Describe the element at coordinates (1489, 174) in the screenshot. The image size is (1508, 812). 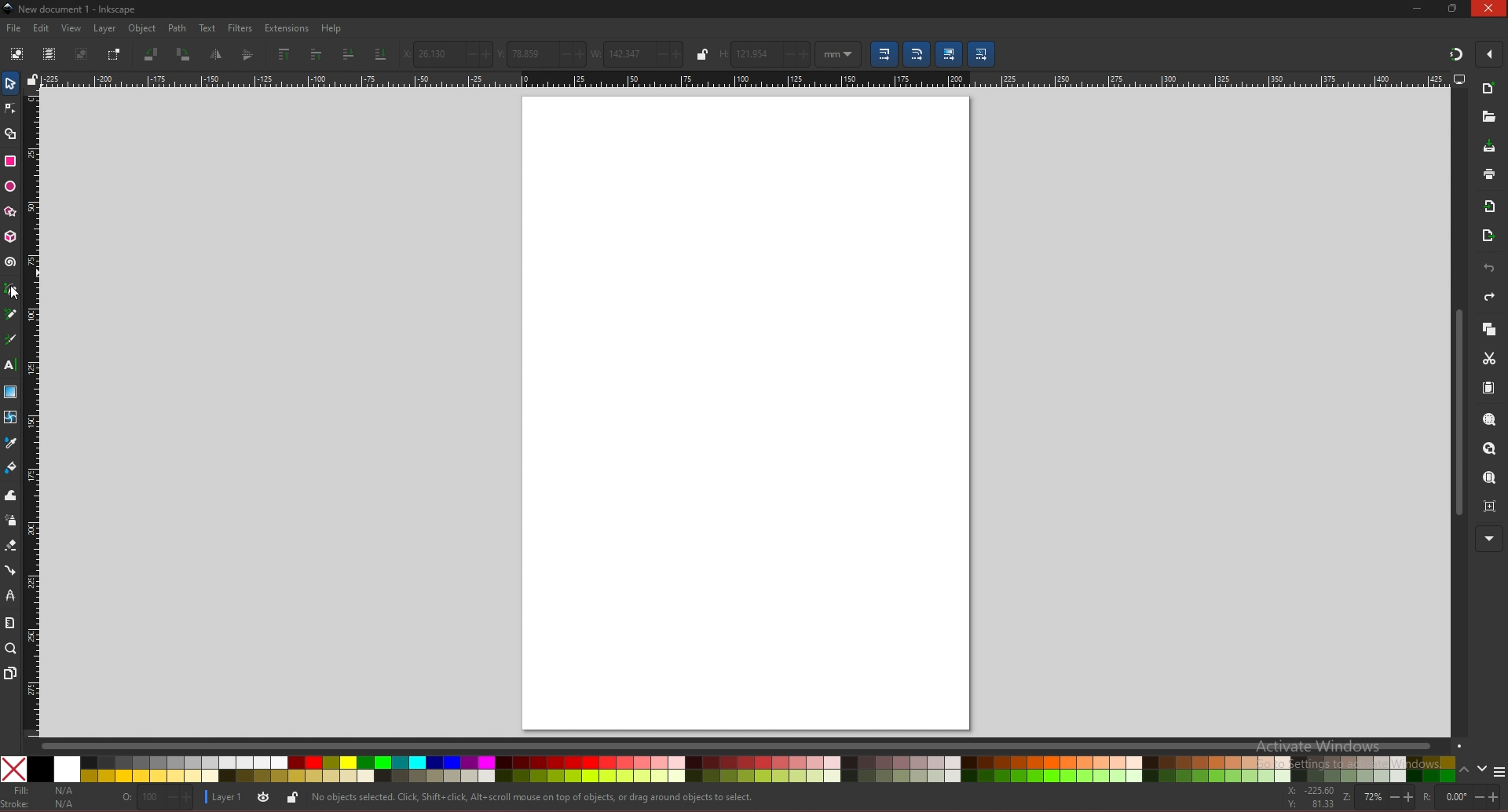
I see `print` at that location.